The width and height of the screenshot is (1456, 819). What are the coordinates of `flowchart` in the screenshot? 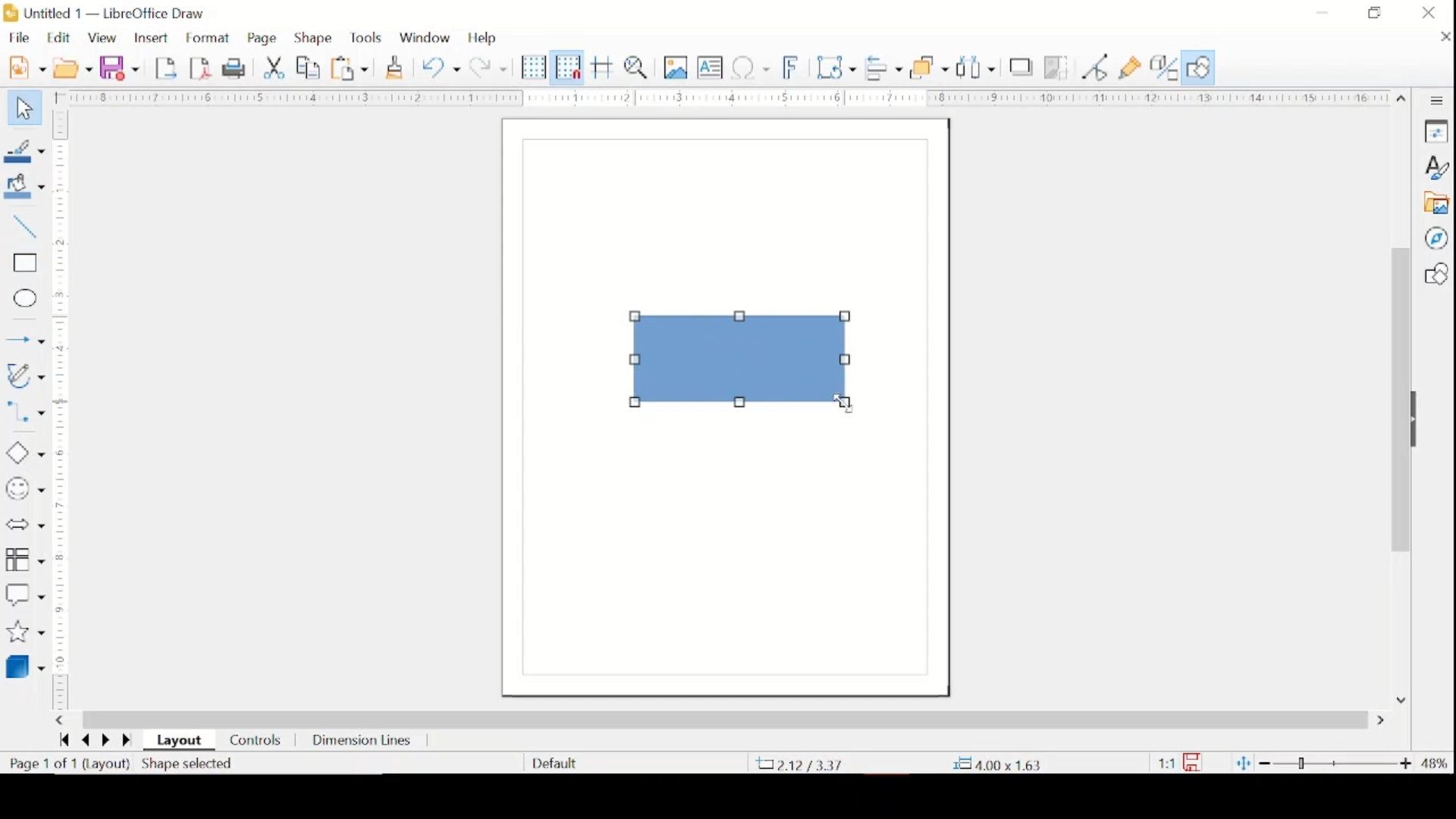 It's located at (25, 560).